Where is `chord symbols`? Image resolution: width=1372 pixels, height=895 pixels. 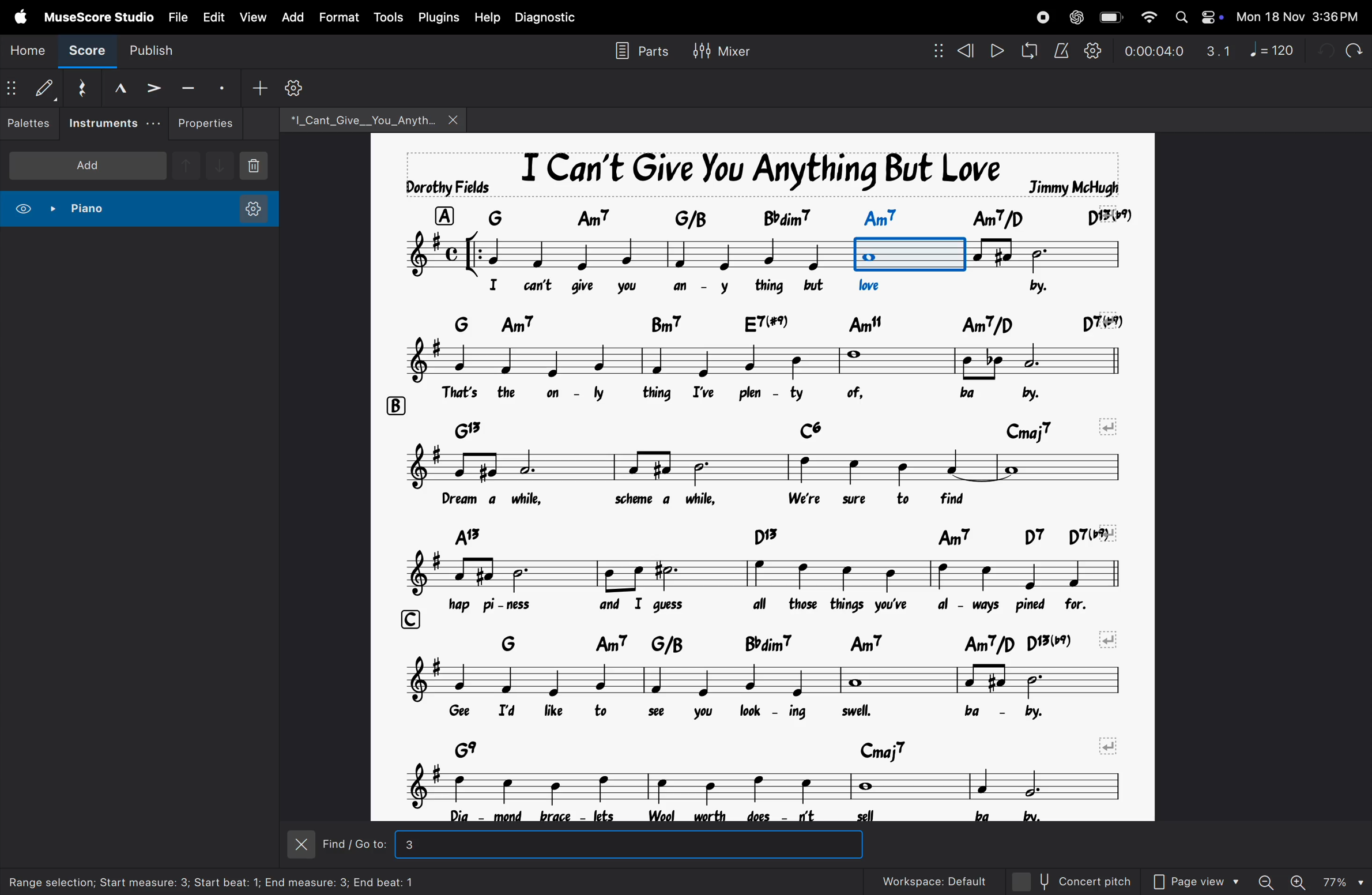 chord symbols is located at coordinates (803, 644).